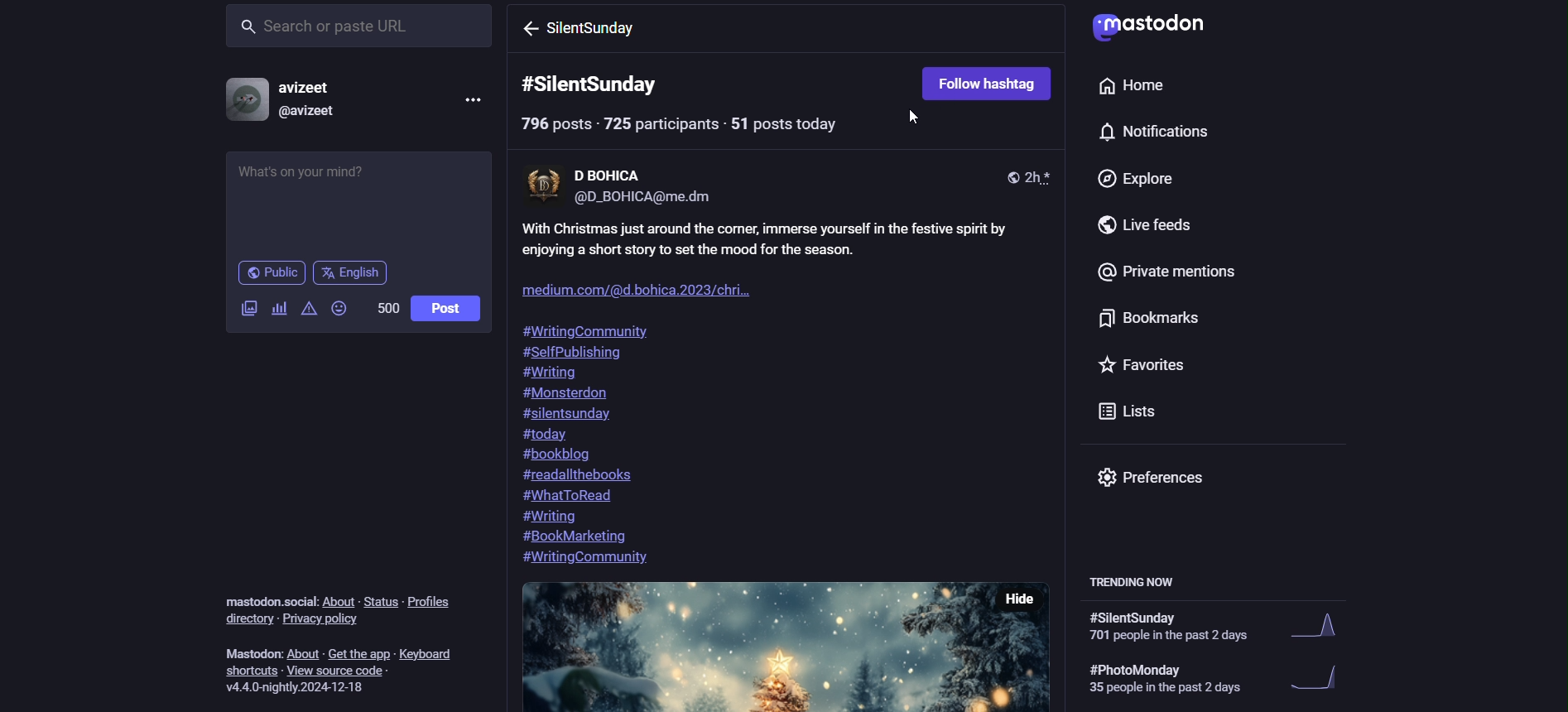  What do you see at coordinates (358, 652) in the screenshot?
I see `get the app` at bounding box center [358, 652].